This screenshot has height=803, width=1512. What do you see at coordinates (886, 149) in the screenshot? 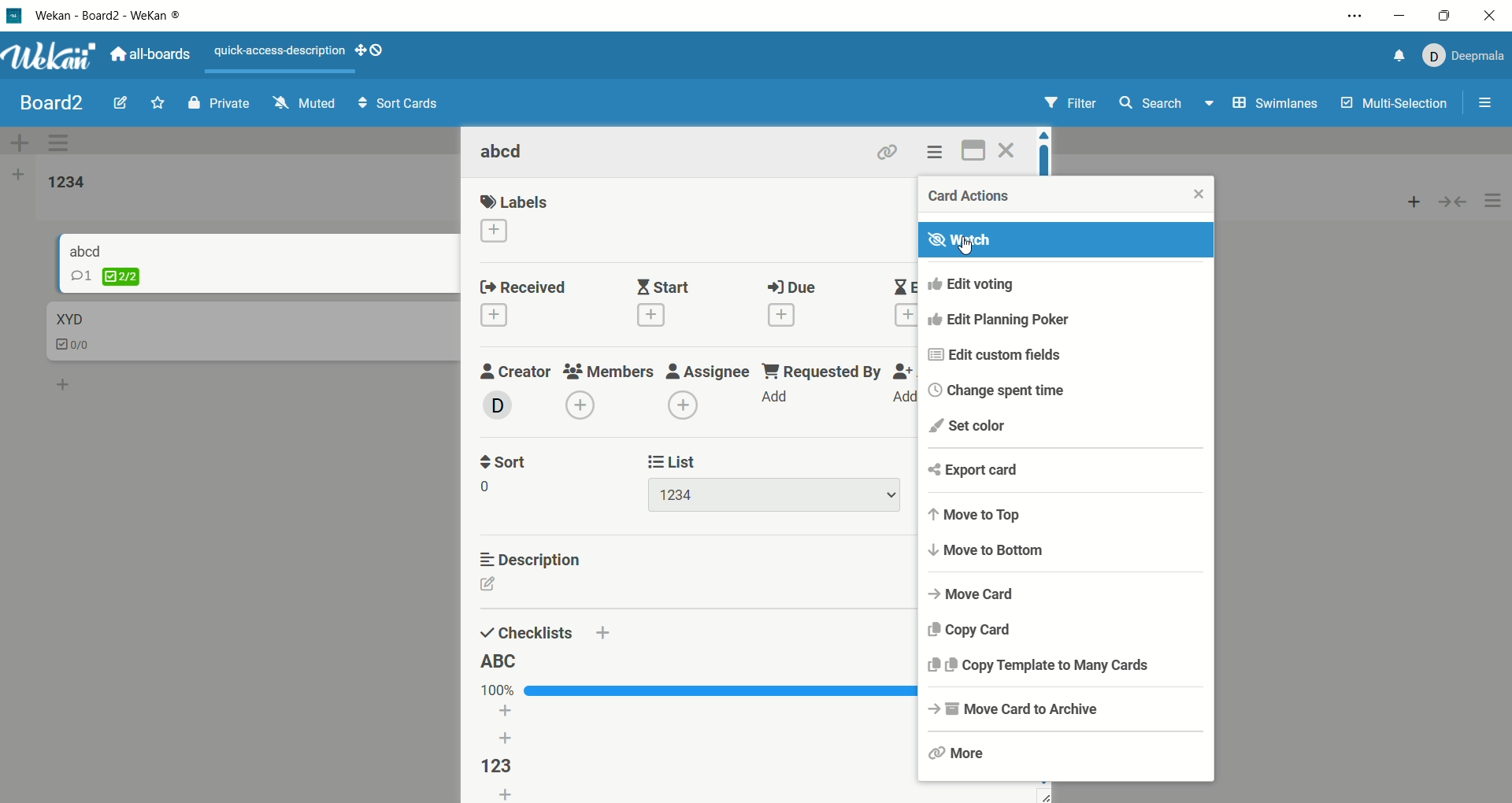
I see `link` at bounding box center [886, 149].